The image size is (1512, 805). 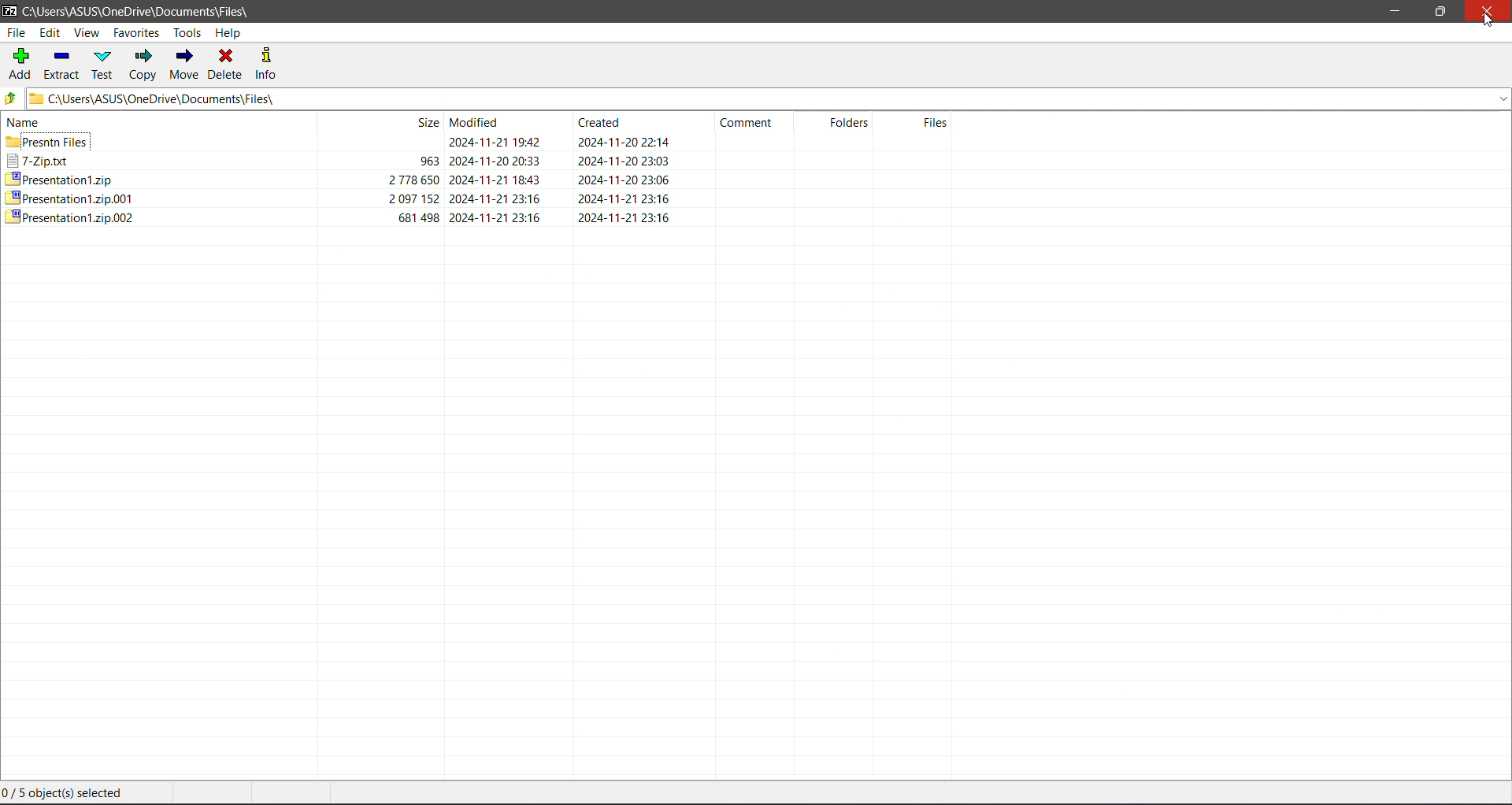 What do you see at coordinates (52, 142) in the screenshot?
I see `presntn files` at bounding box center [52, 142].